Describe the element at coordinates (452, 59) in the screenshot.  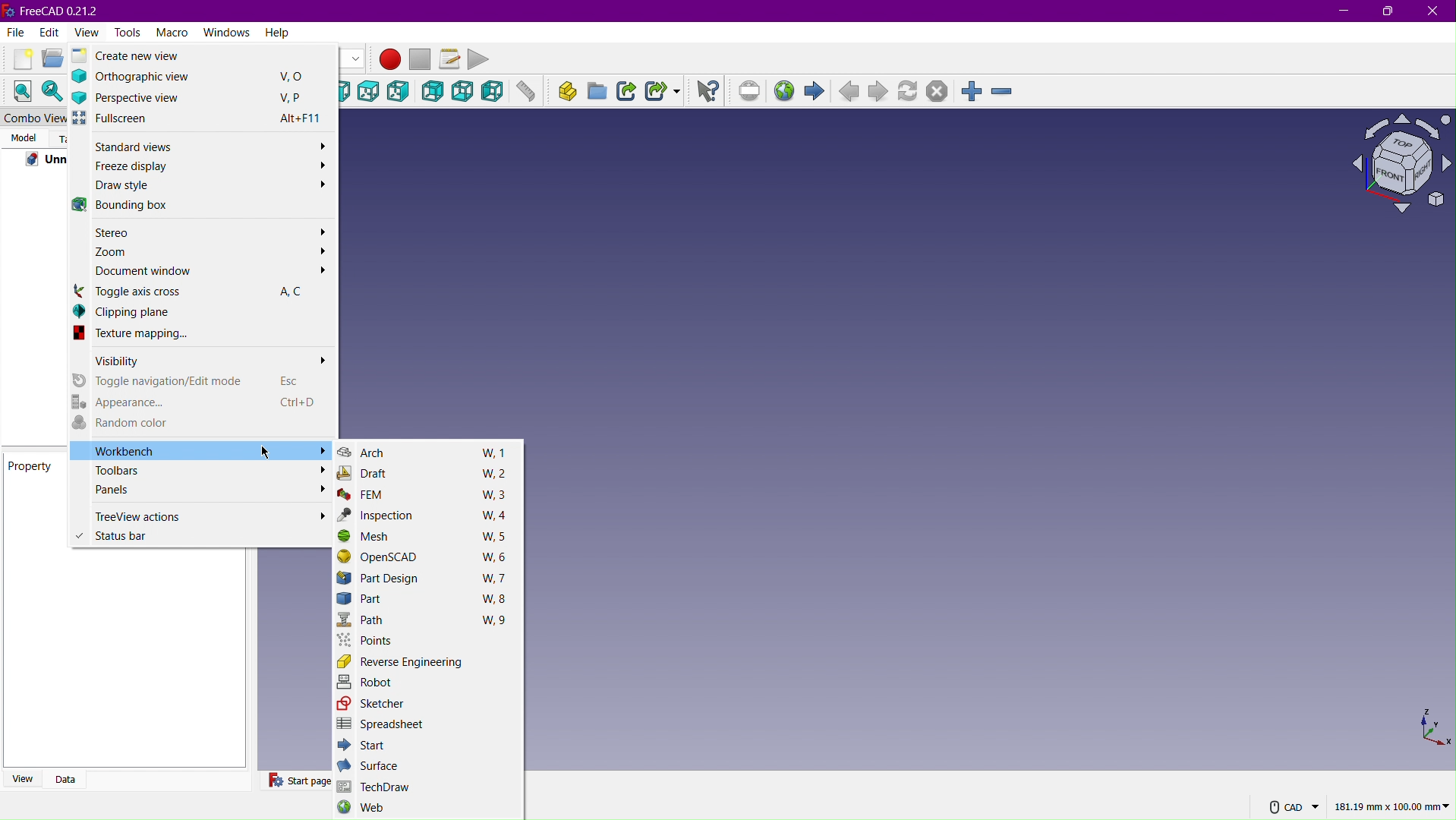
I see `Macros` at that location.